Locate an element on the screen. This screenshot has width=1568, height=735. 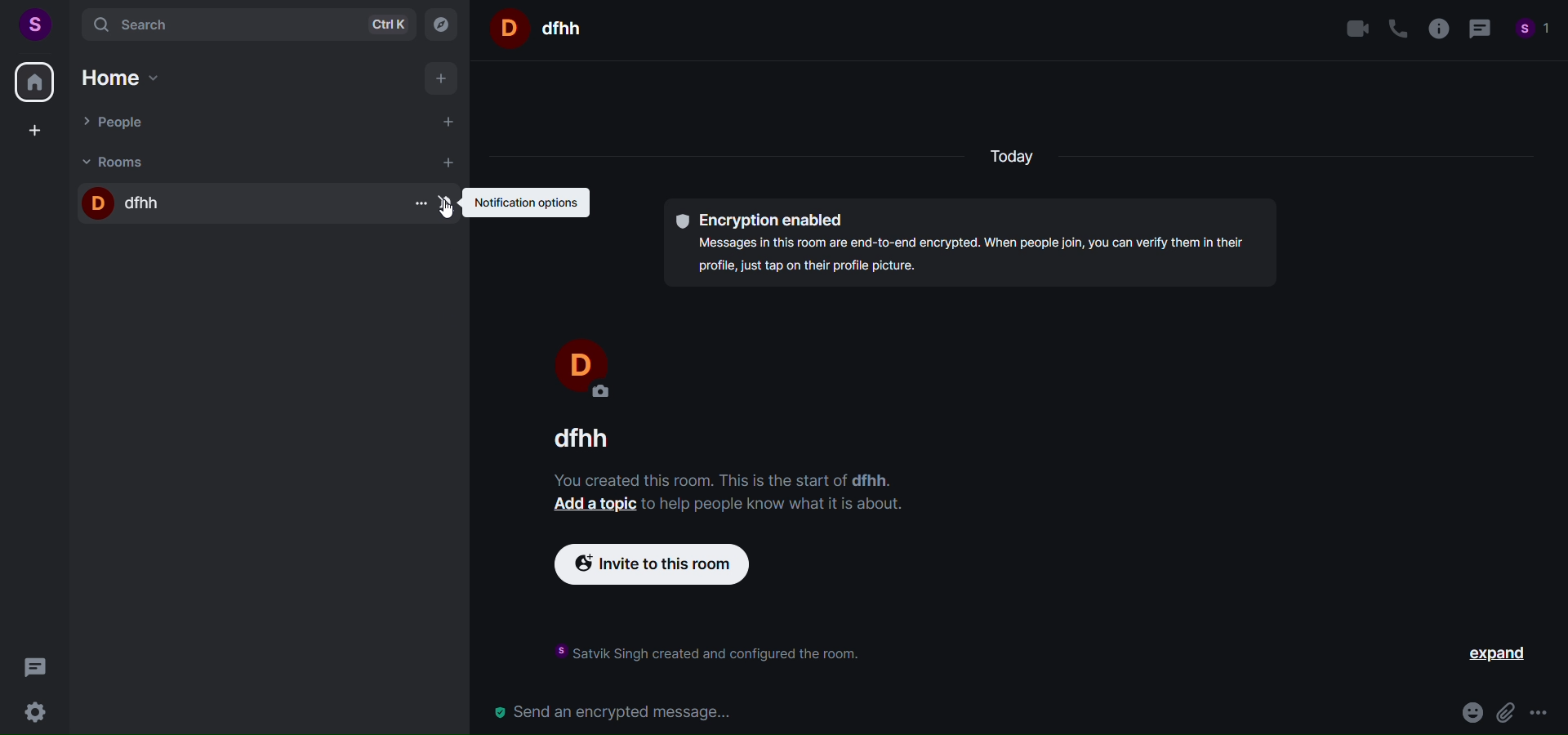
cursor is located at coordinates (446, 215).